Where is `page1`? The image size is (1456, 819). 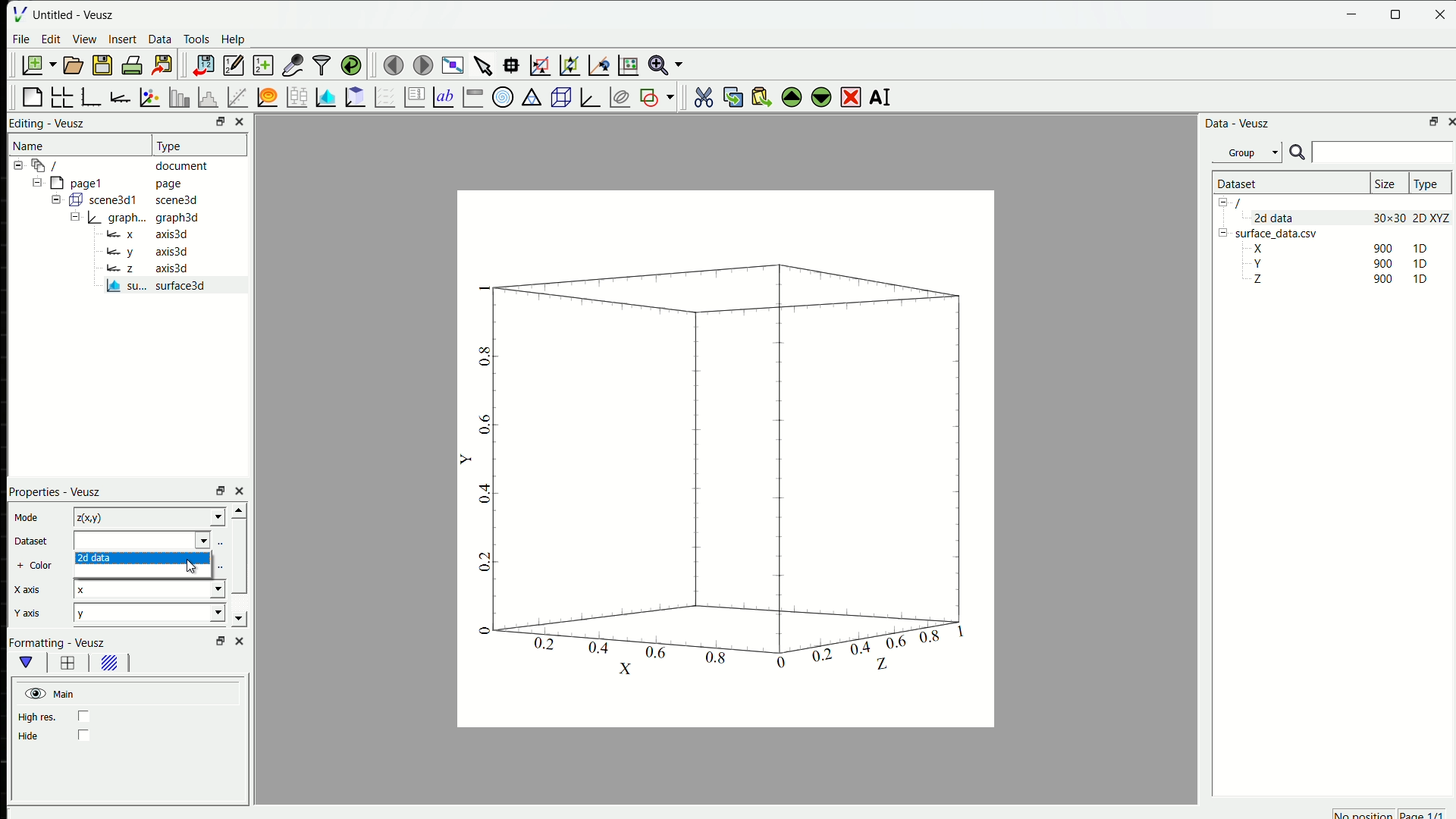 page1 is located at coordinates (77, 183).